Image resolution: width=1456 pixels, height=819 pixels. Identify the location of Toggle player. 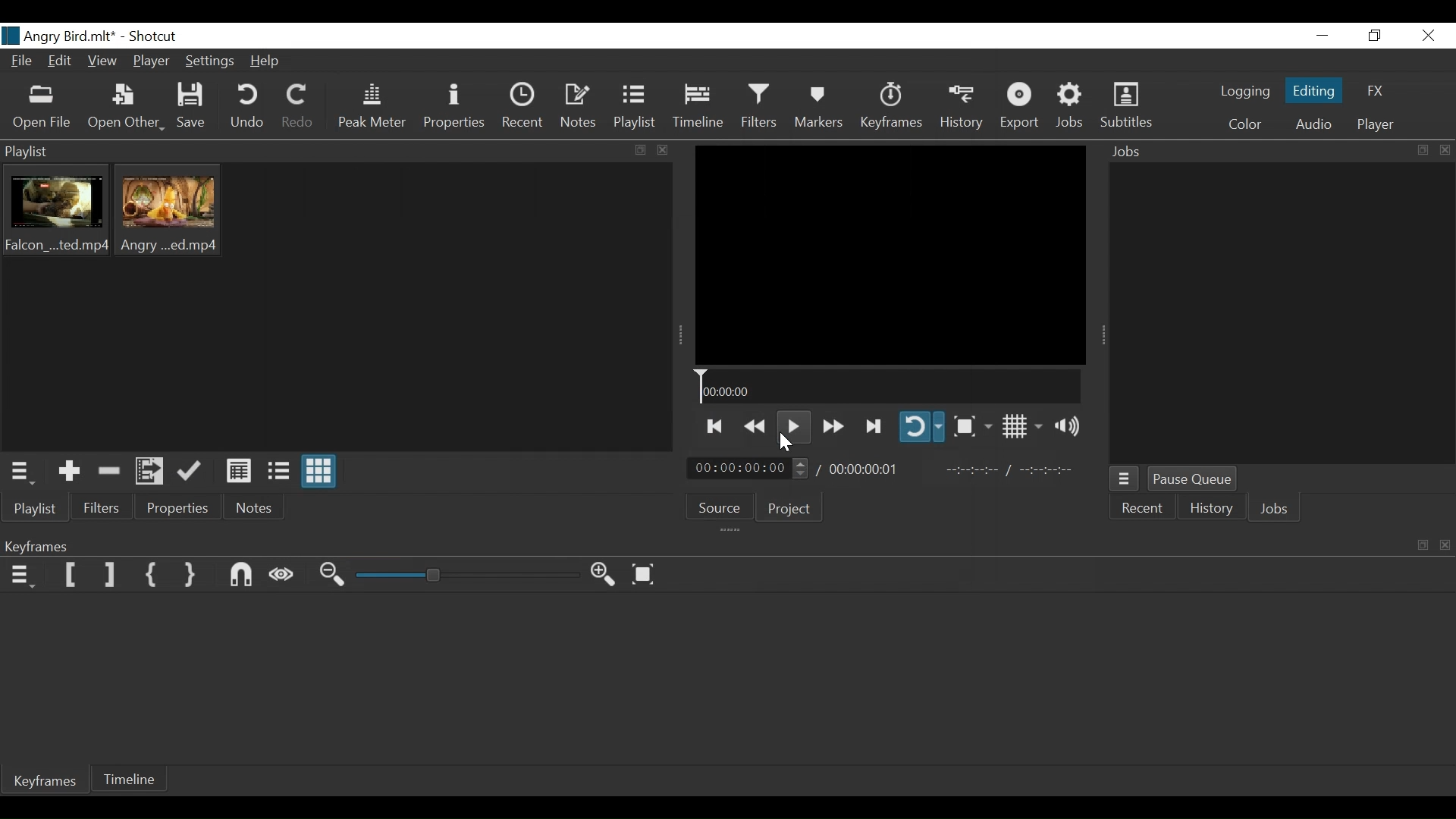
(922, 426).